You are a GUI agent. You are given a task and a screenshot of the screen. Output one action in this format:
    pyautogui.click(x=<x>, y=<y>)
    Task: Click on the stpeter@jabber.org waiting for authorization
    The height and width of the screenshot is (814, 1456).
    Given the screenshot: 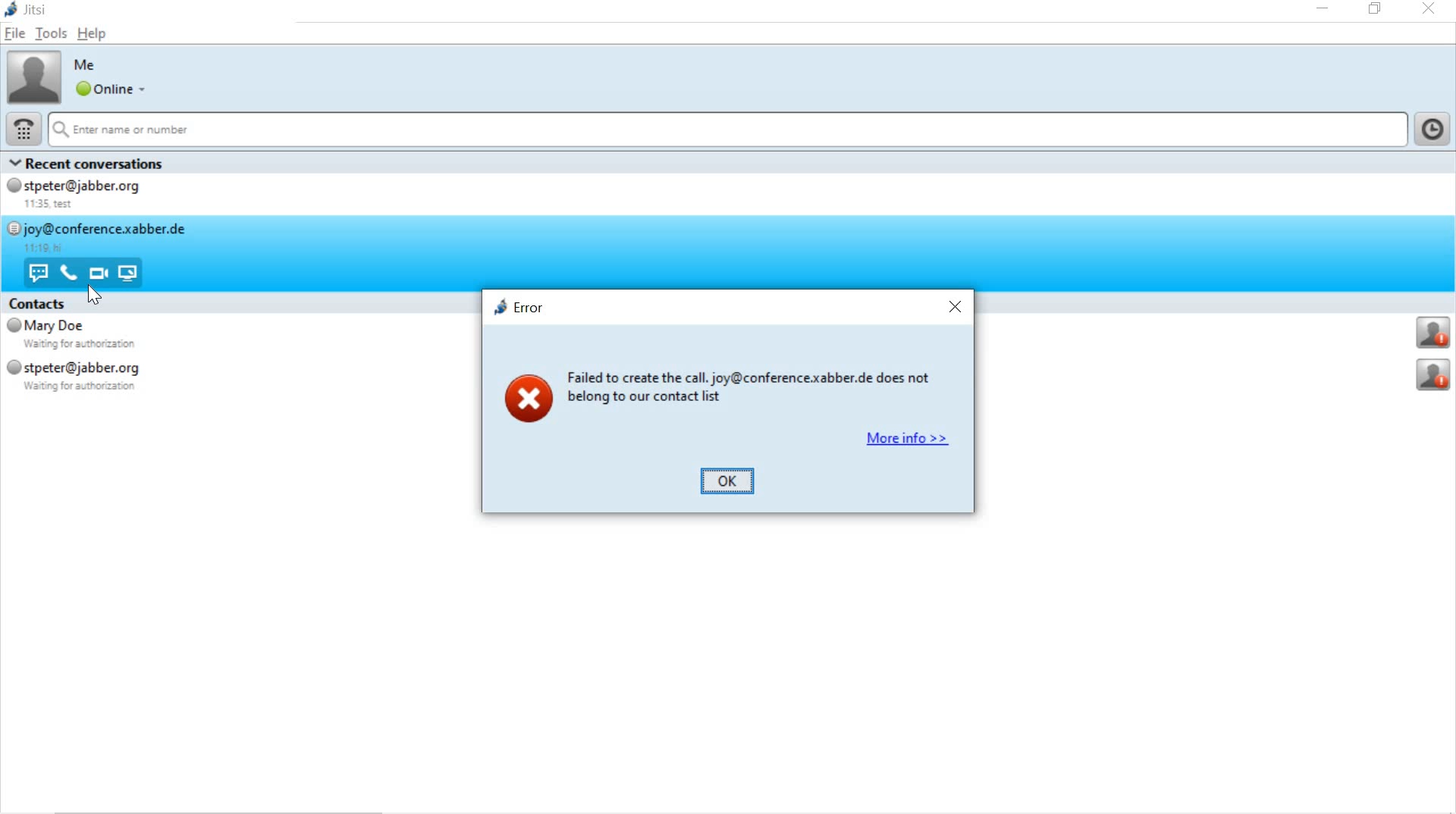 What is the action you would take?
    pyautogui.click(x=95, y=377)
    